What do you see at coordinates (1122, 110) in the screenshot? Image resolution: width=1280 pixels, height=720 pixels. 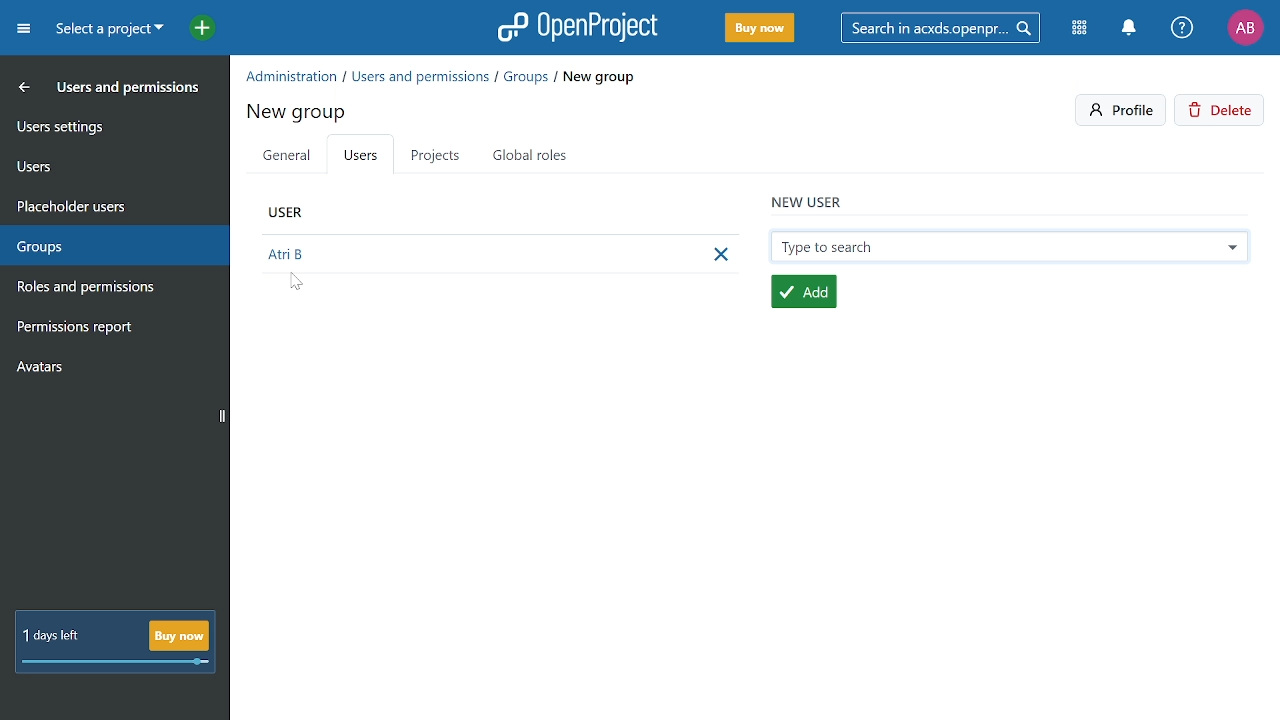 I see `Profile` at bounding box center [1122, 110].